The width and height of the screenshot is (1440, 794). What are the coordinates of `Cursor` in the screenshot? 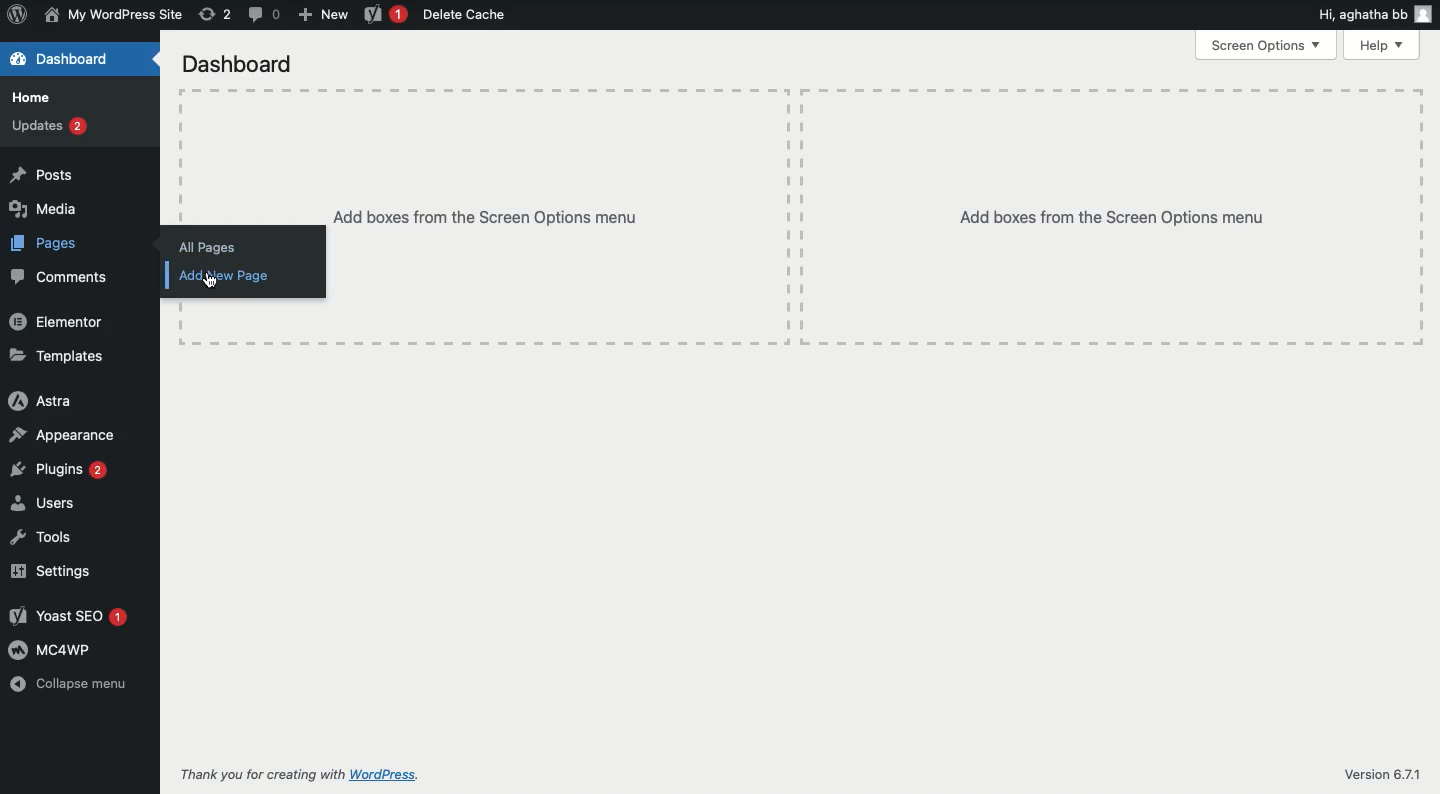 It's located at (212, 280).